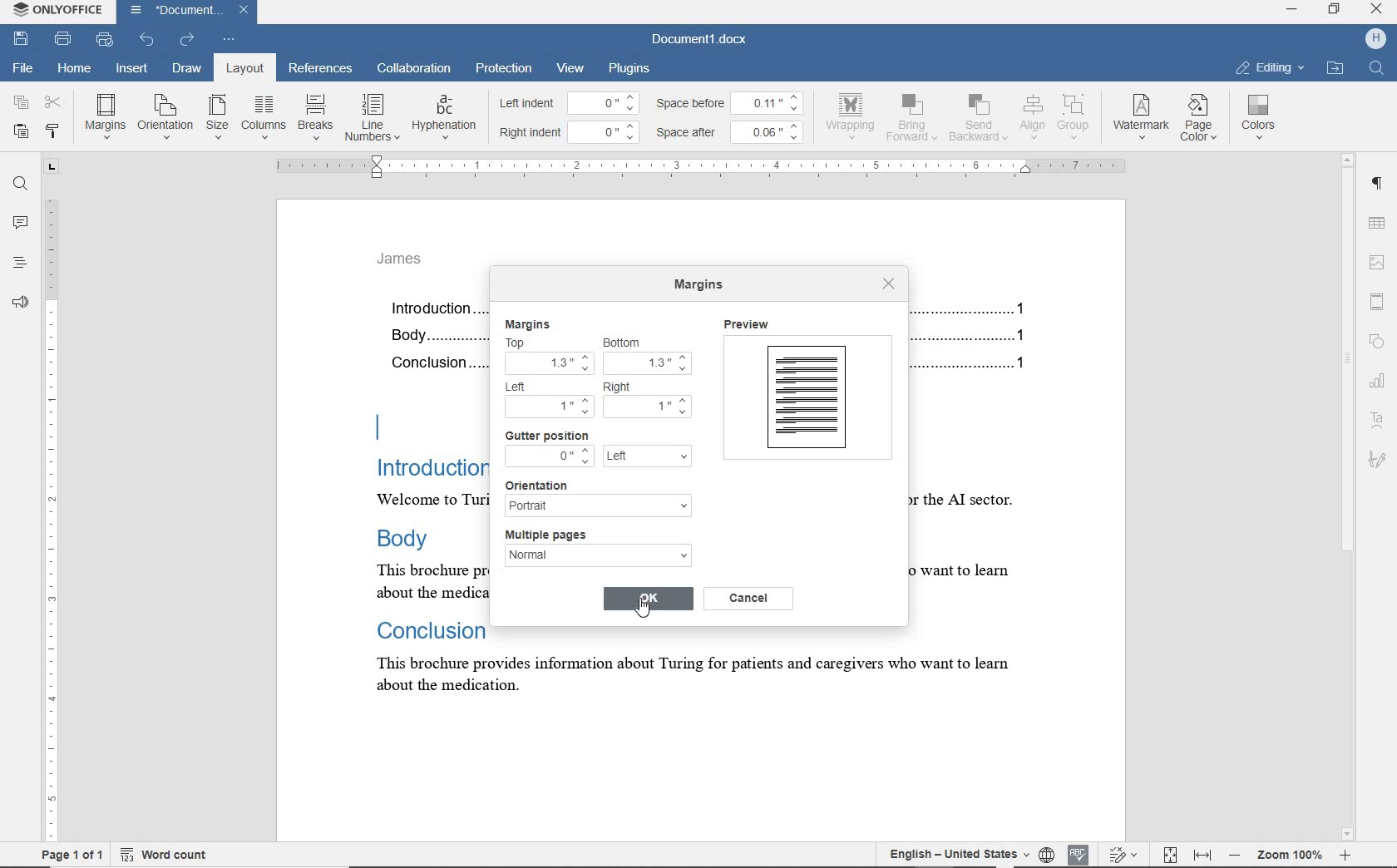  Describe the element at coordinates (20, 223) in the screenshot. I see `comments` at that location.